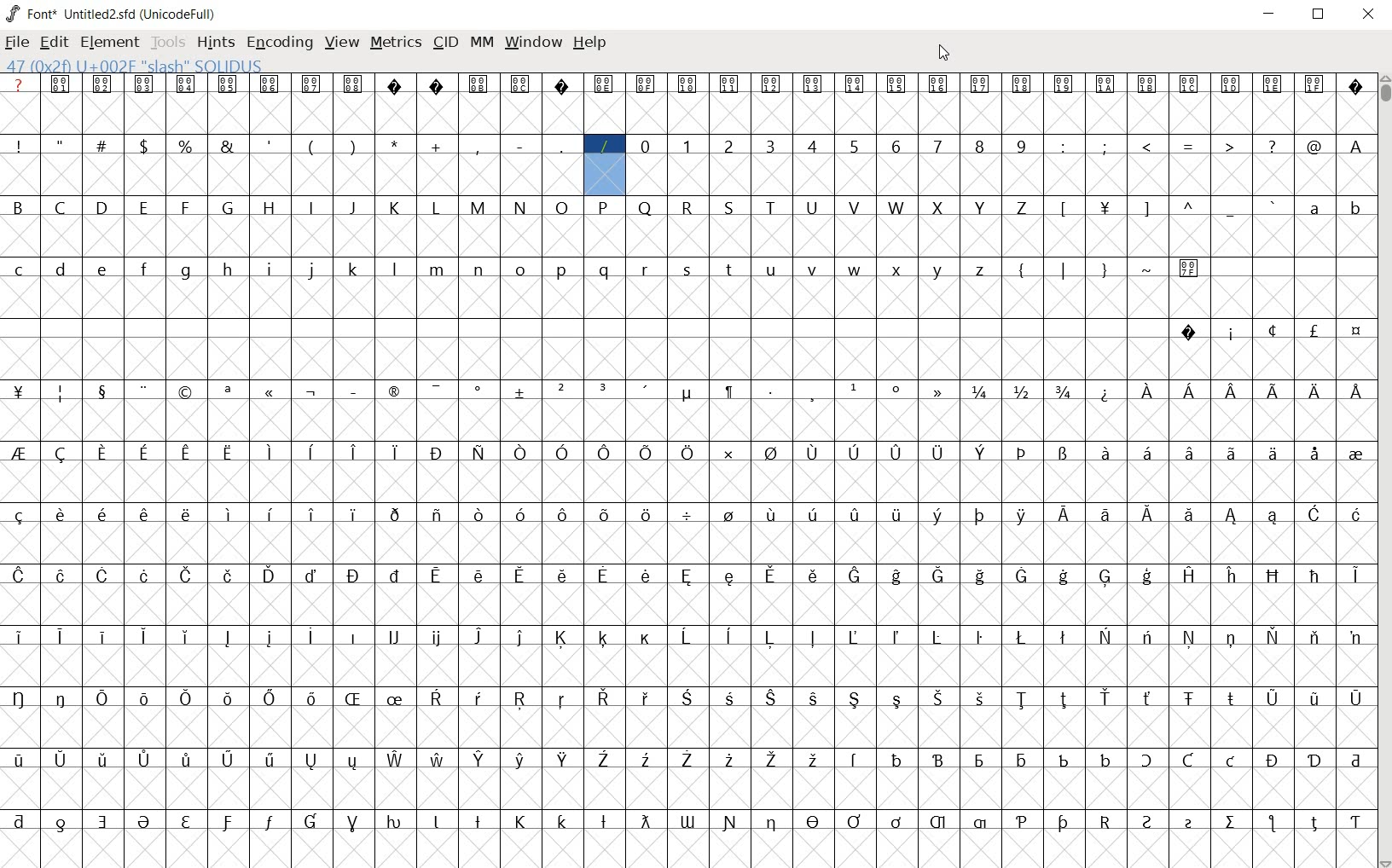 Image resolution: width=1392 pixels, height=868 pixels. I want to click on glyph, so click(855, 576).